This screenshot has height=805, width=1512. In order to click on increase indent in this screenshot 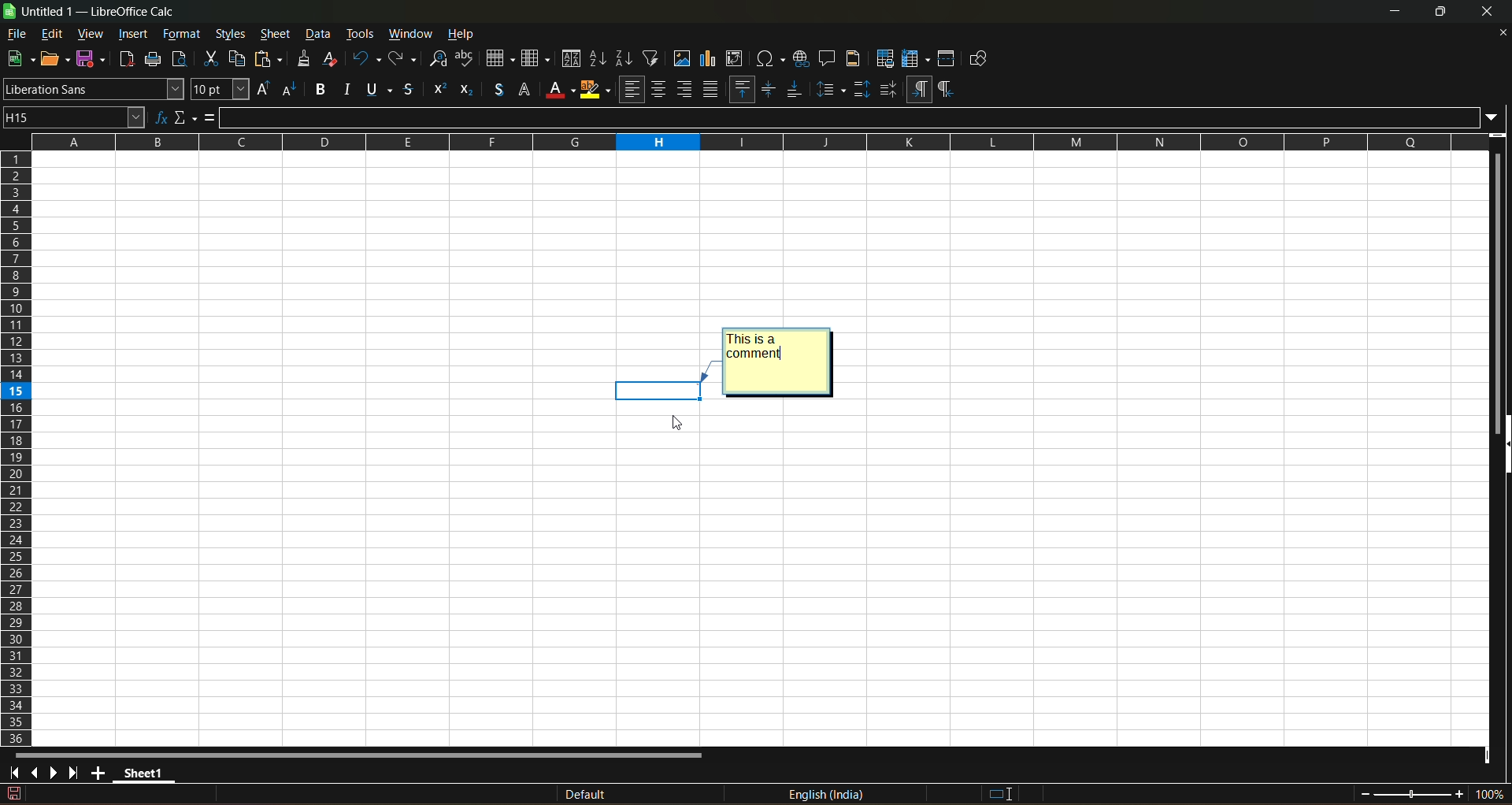, I will do `click(900, 88)`.